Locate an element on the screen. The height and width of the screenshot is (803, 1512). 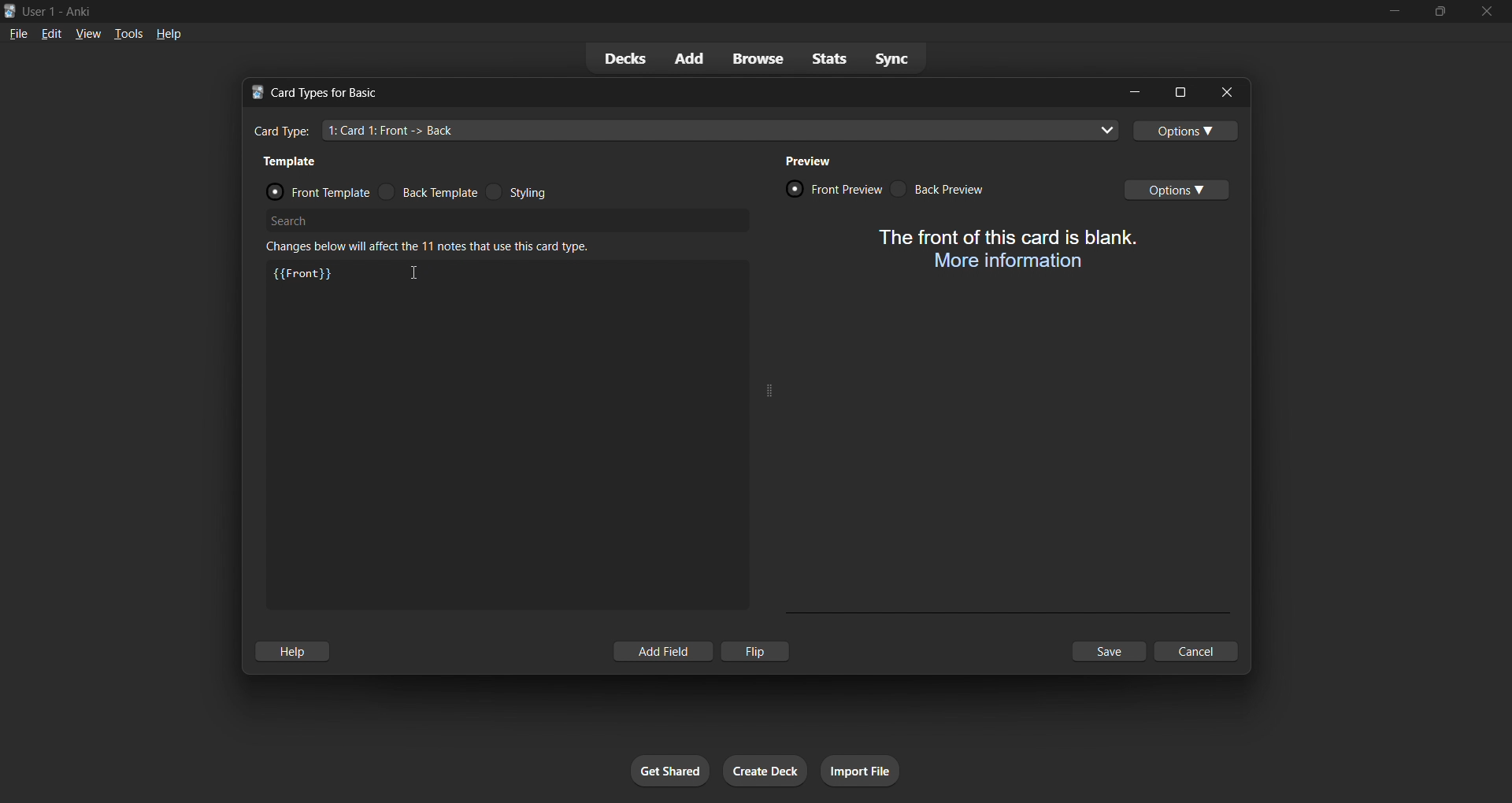
styling is located at coordinates (537, 193).